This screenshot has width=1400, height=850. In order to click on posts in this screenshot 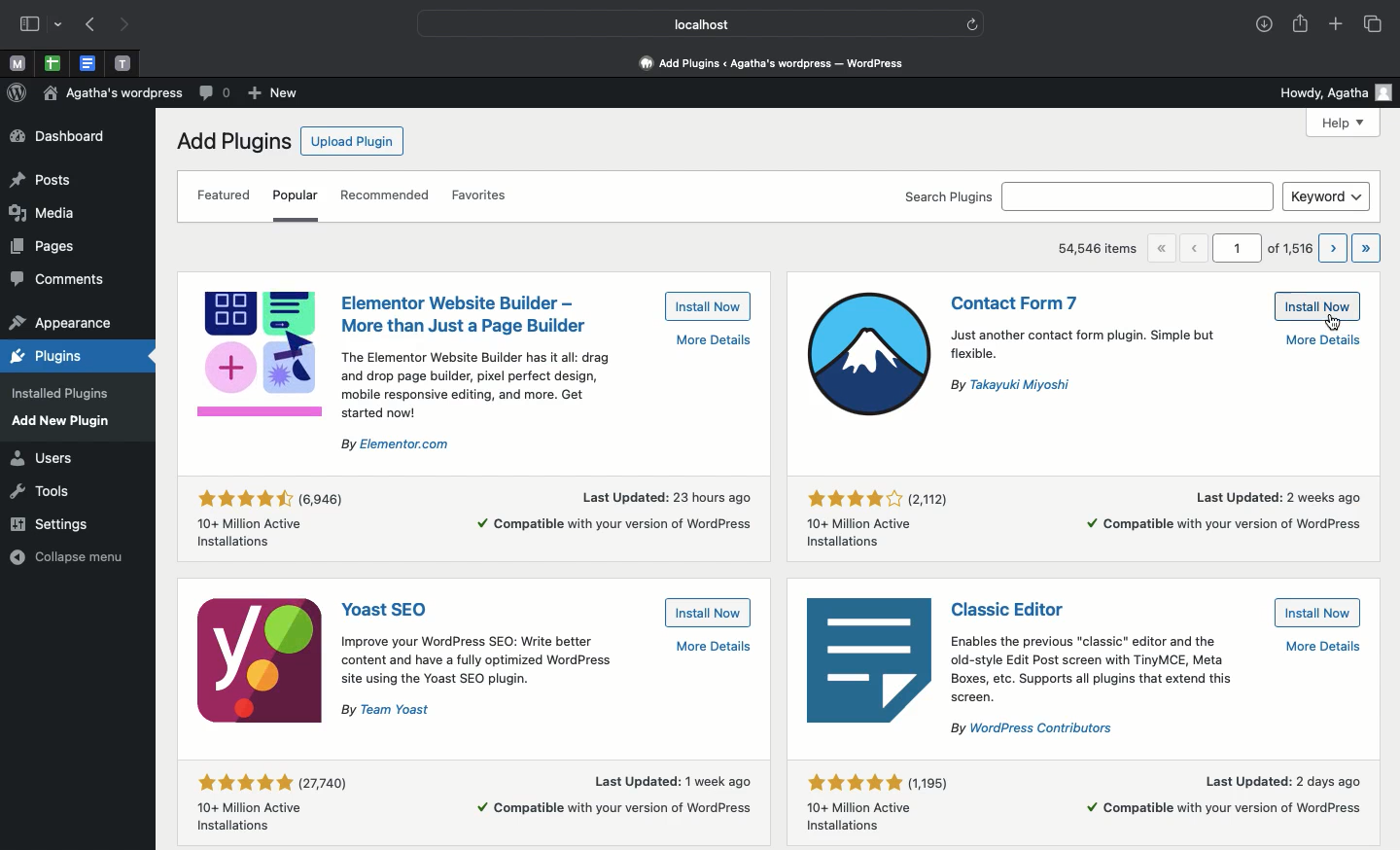, I will do `click(42, 181)`.